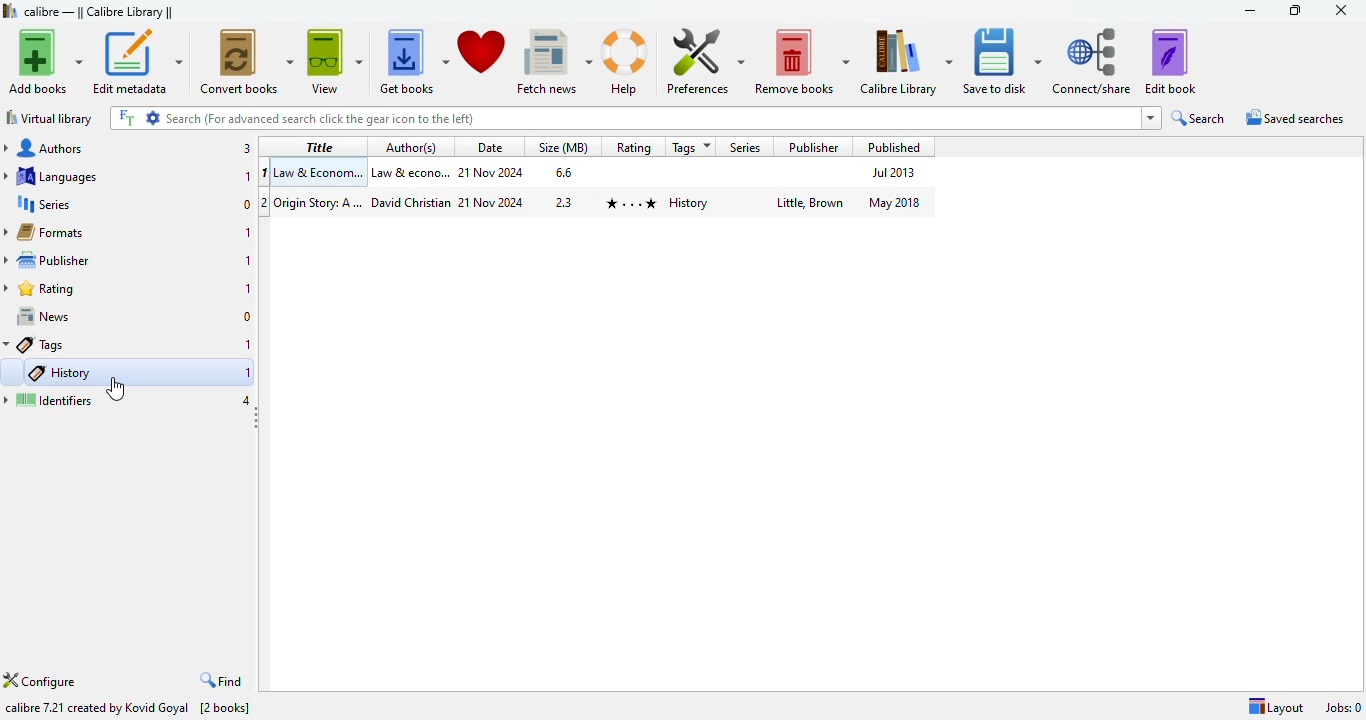  I want to click on Origin Story: A Big History of Everything, so click(318, 202).